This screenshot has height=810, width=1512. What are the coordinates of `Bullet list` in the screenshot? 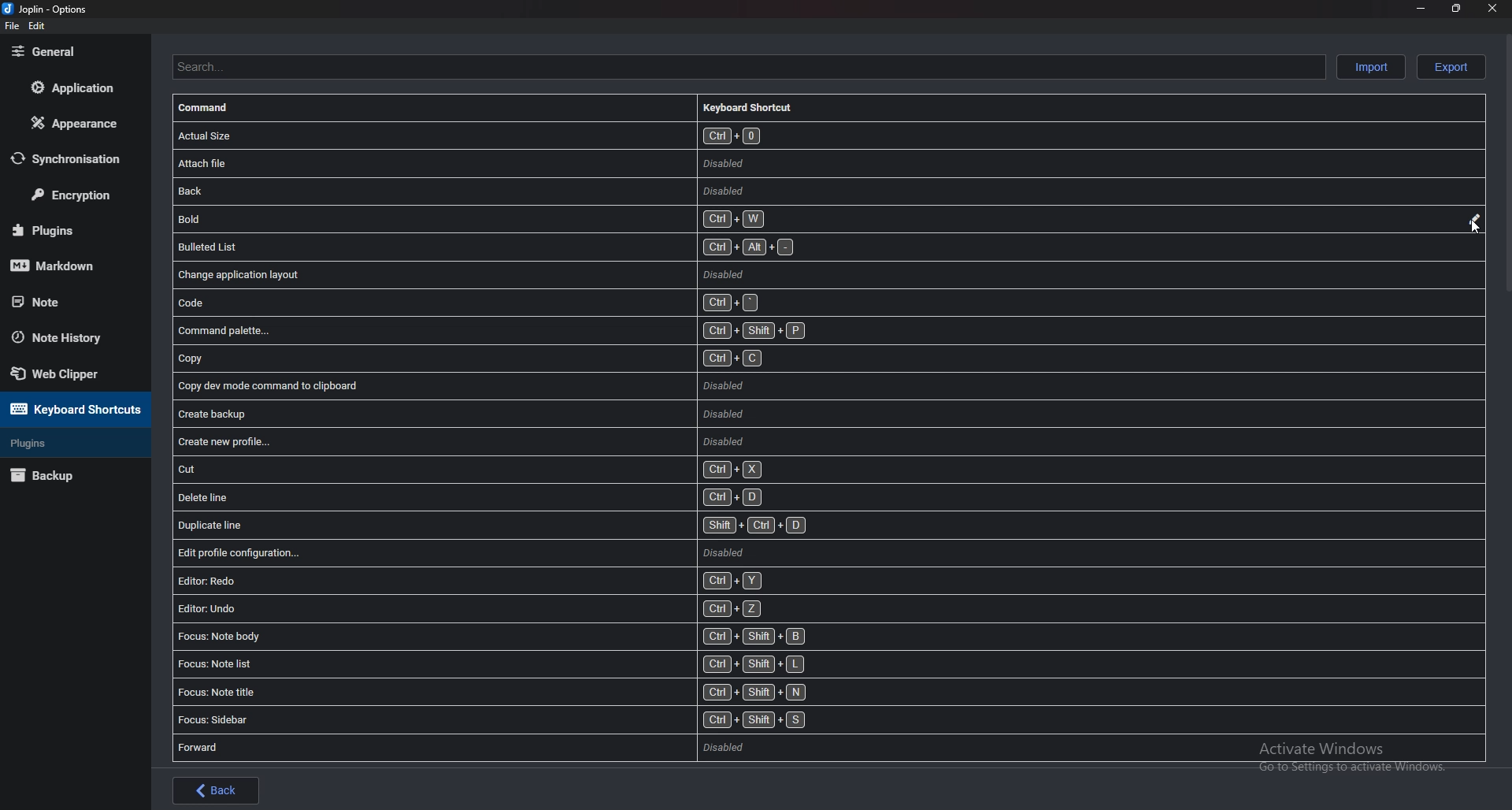 It's located at (573, 245).